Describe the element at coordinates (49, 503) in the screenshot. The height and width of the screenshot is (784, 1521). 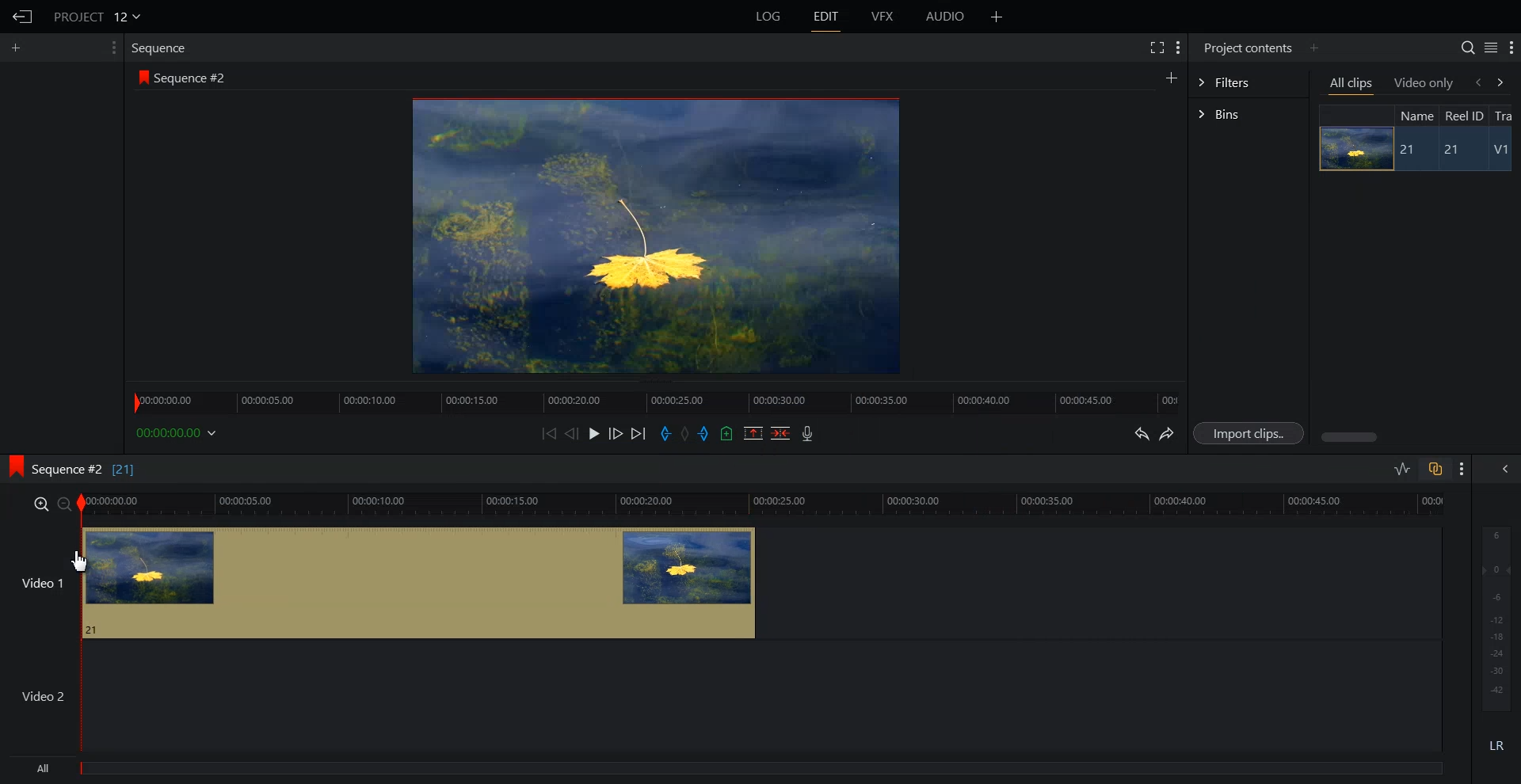
I see `zoom in/zoom out` at that location.